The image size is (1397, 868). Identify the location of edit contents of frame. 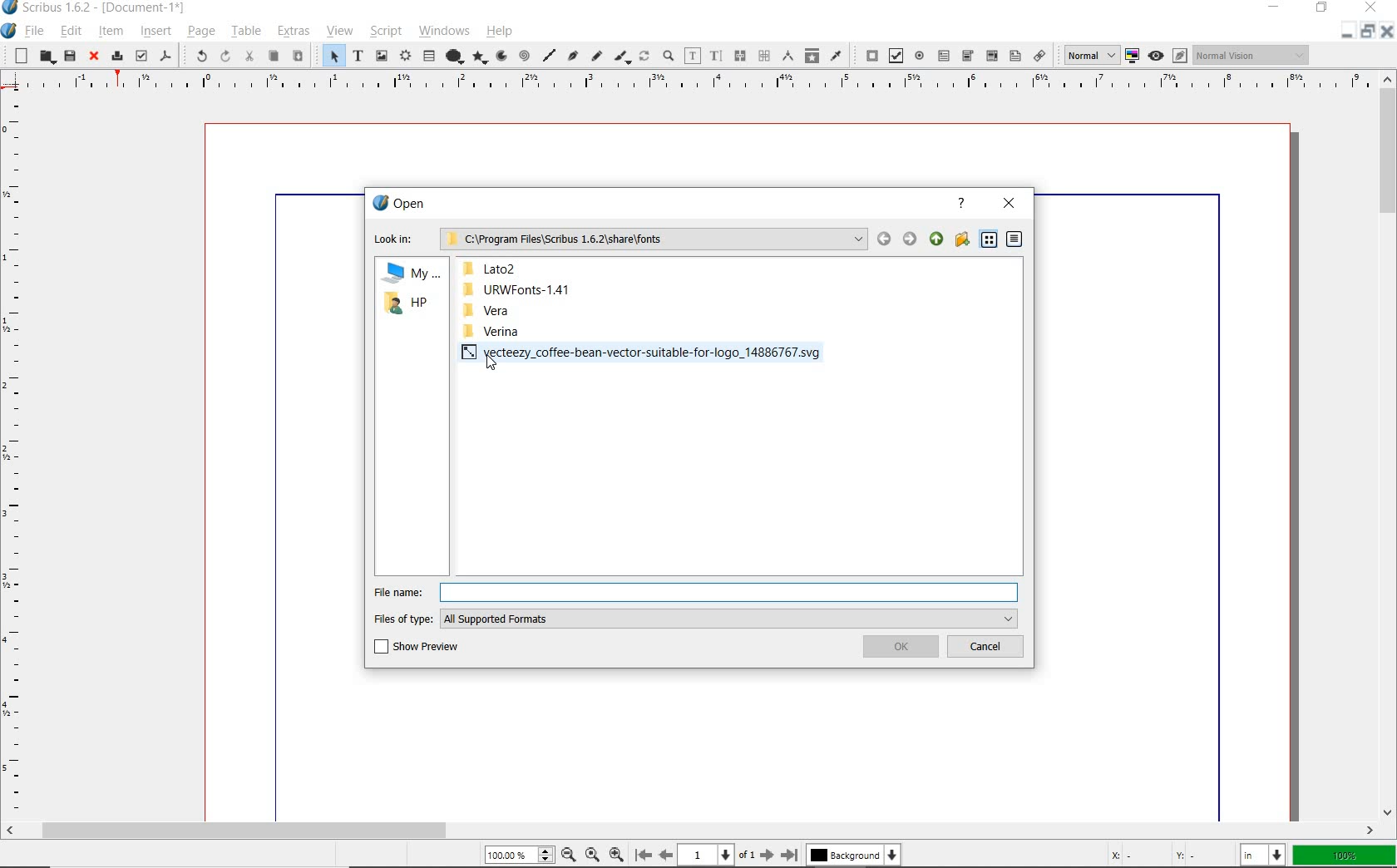
(694, 57).